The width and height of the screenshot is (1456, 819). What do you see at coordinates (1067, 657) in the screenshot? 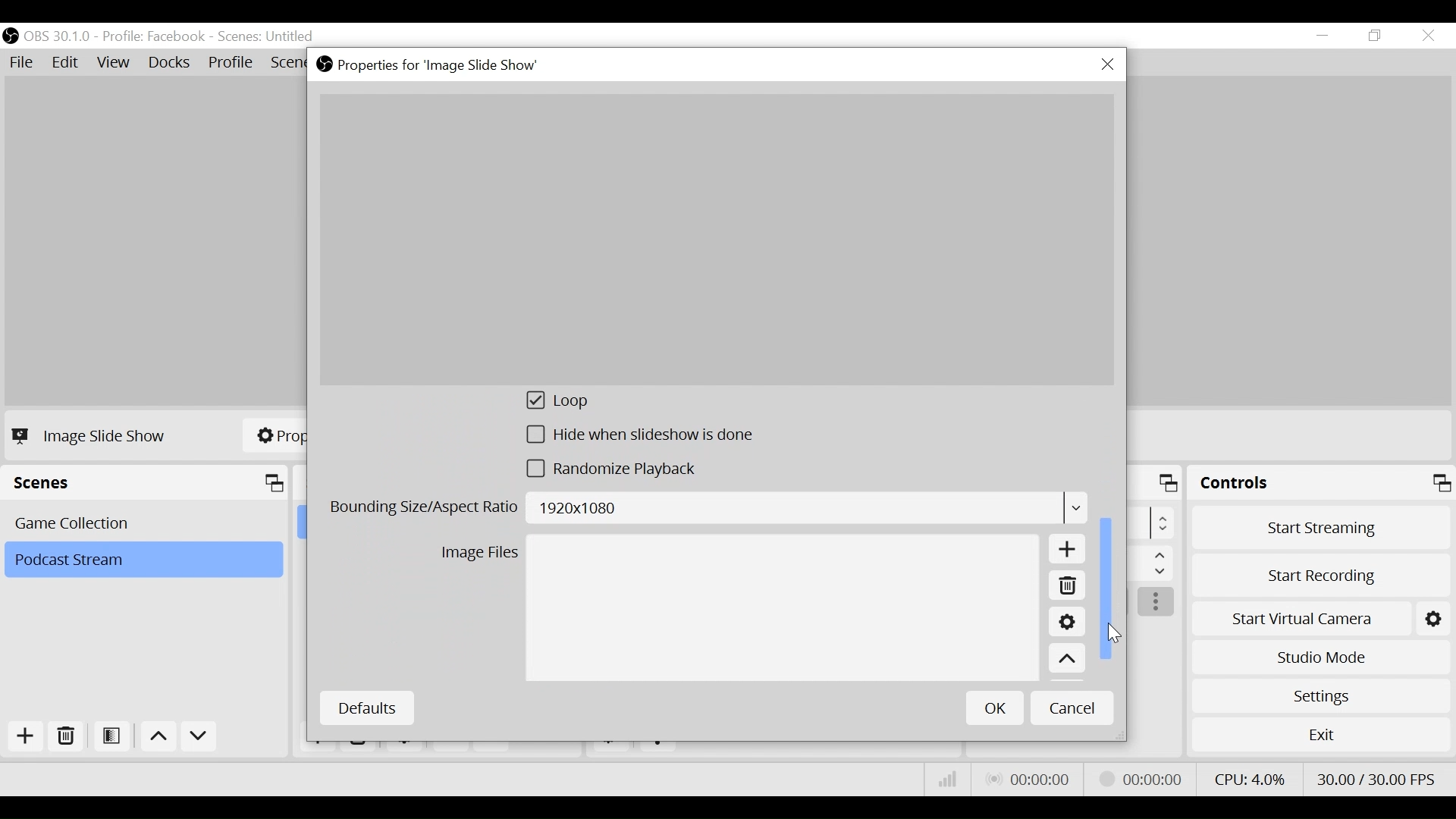
I see `Move up` at bounding box center [1067, 657].